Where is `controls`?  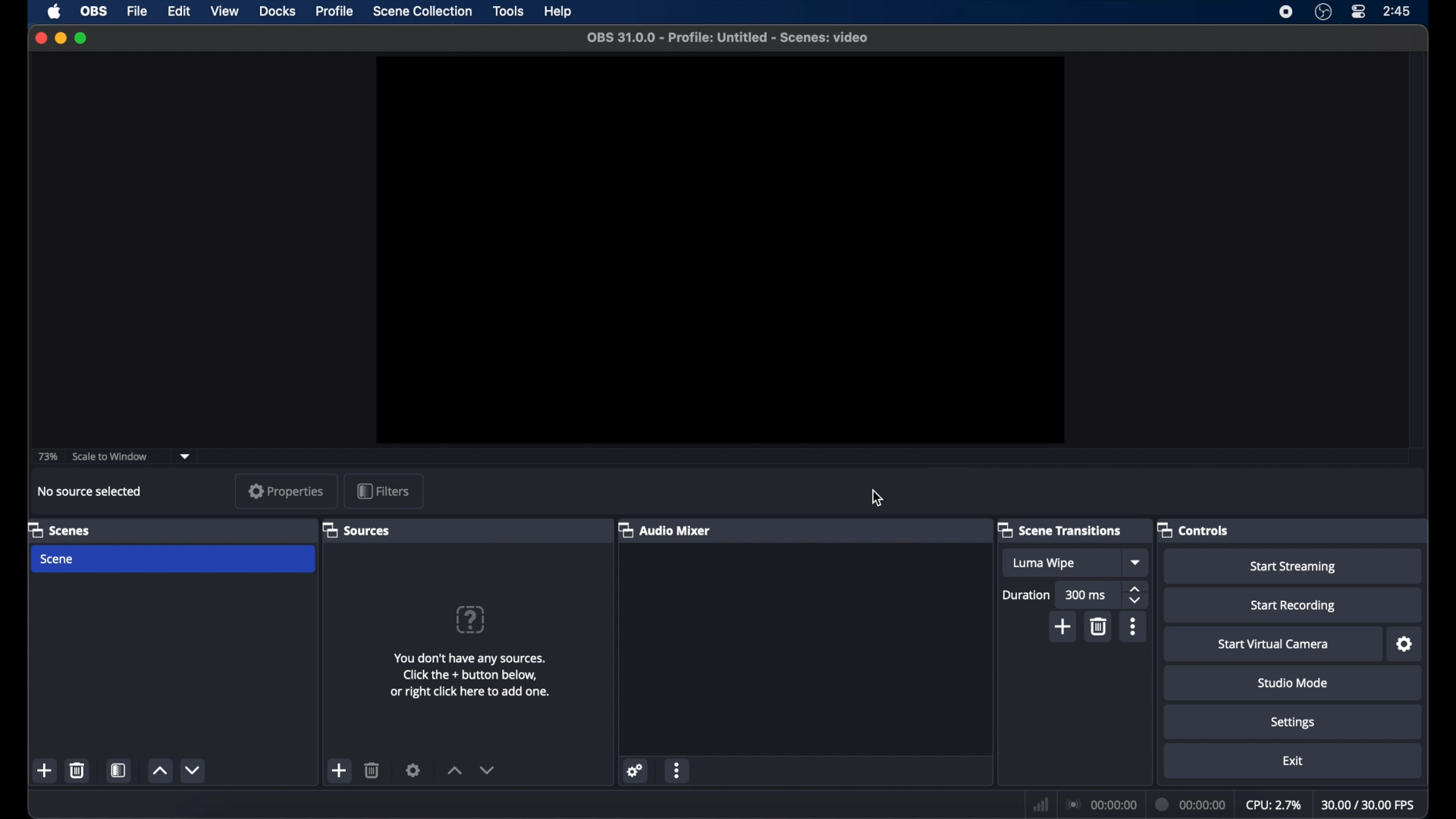 controls is located at coordinates (1192, 529).